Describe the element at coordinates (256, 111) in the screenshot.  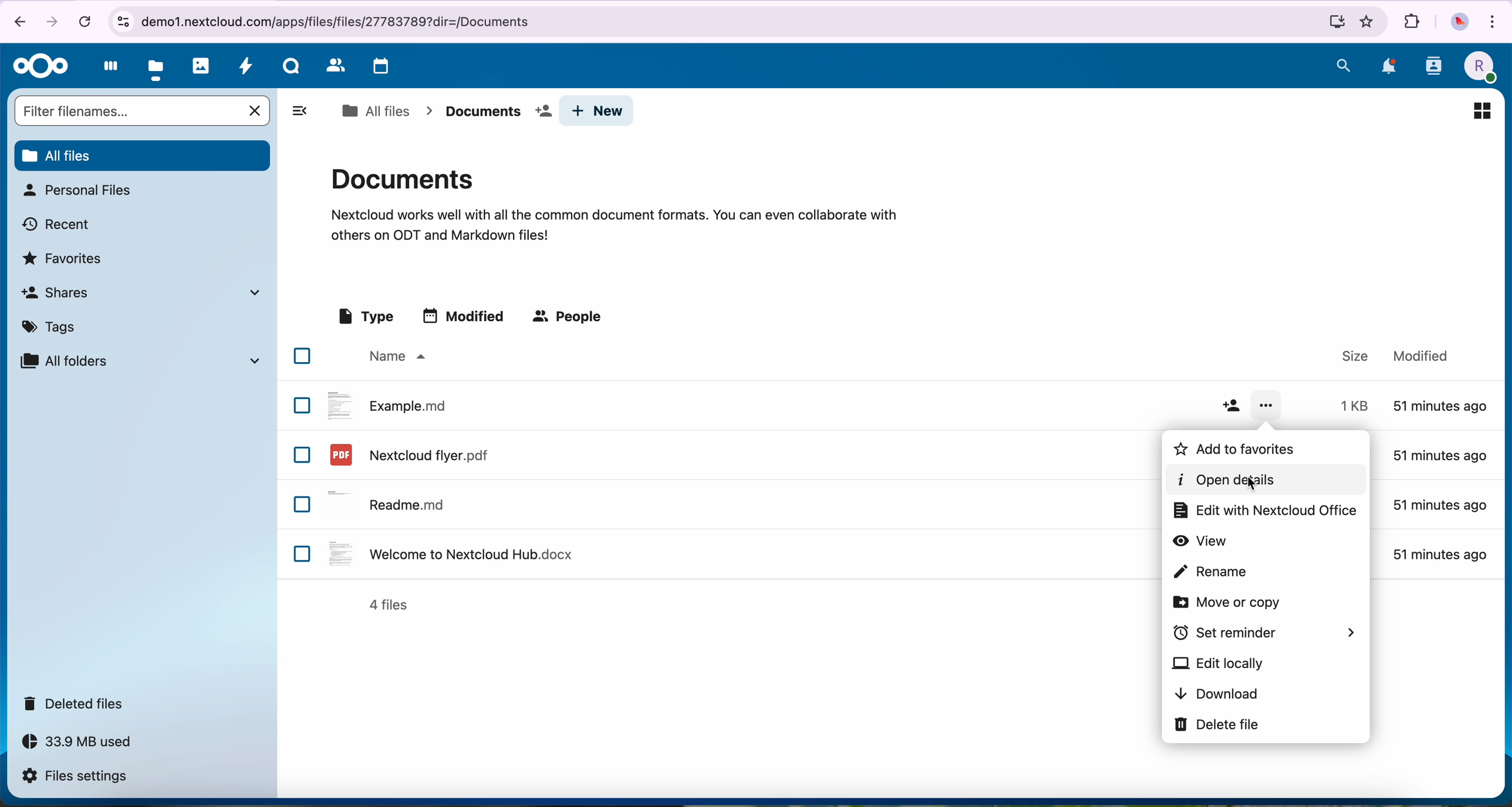
I see `cancel` at that location.